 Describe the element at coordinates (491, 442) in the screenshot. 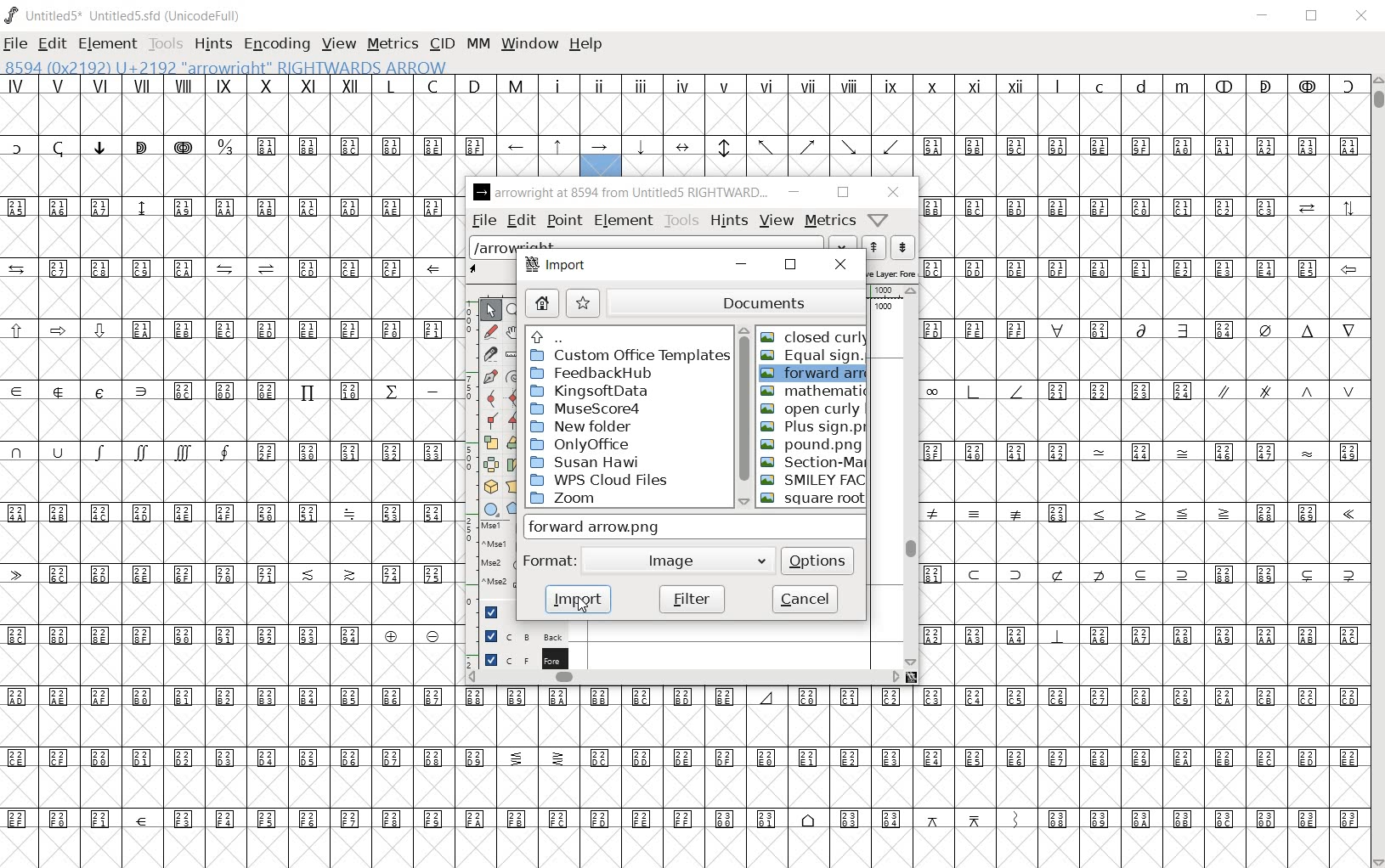

I see `scale the selection` at that location.